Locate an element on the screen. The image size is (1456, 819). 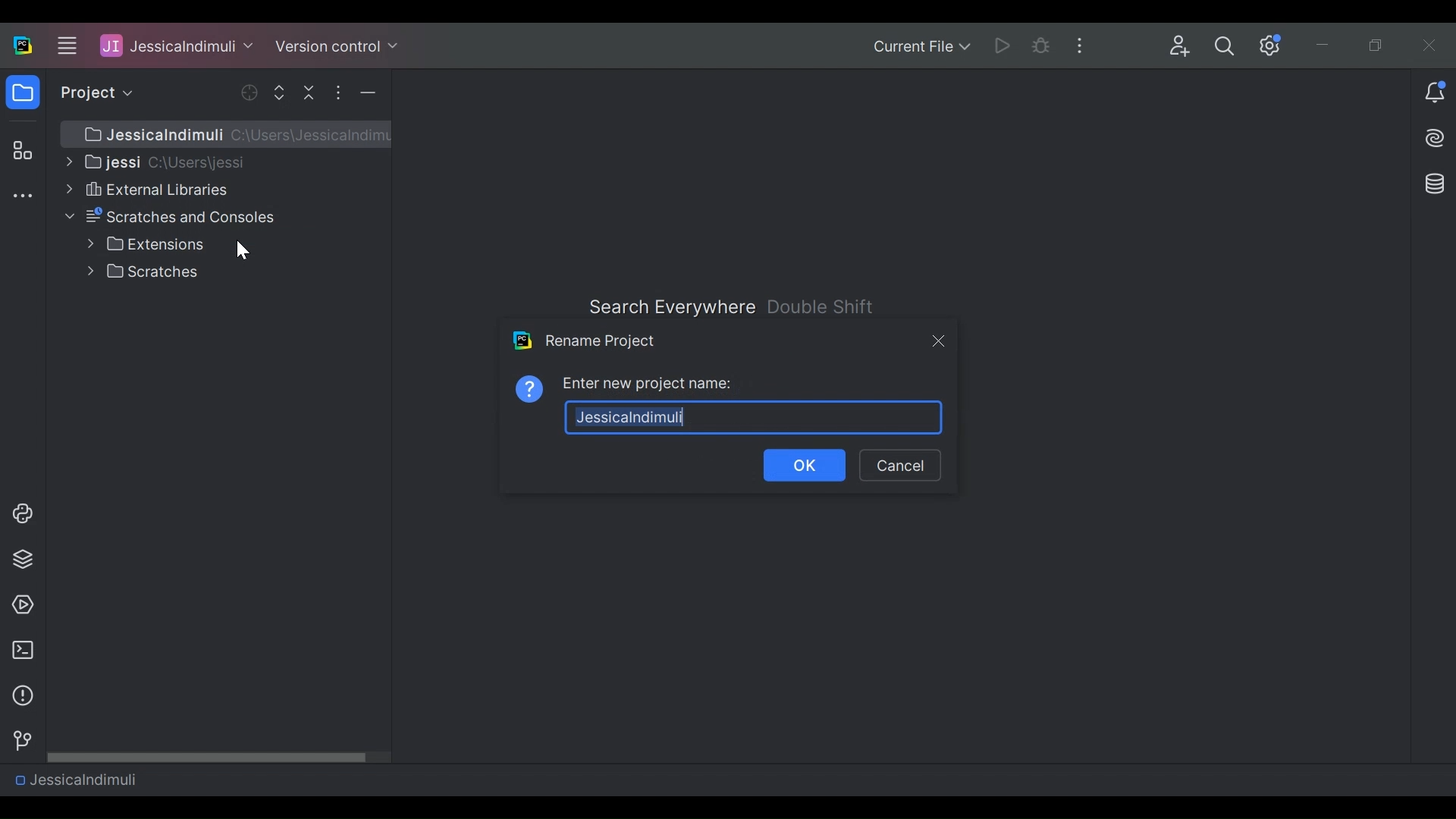
Search is located at coordinates (1225, 46).